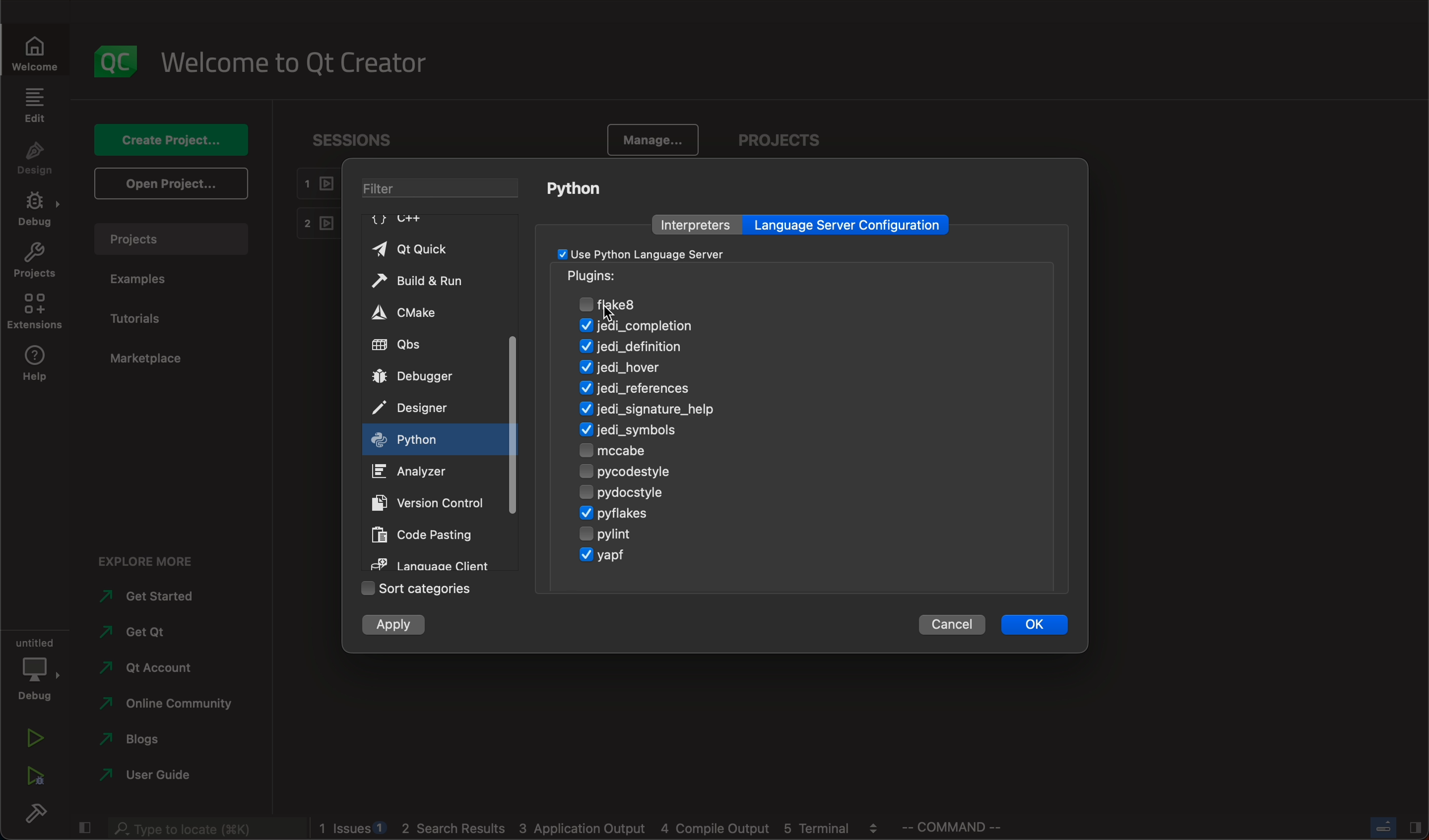 The width and height of the screenshot is (1429, 840). Describe the element at coordinates (616, 304) in the screenshot. I see `flake` at that location.